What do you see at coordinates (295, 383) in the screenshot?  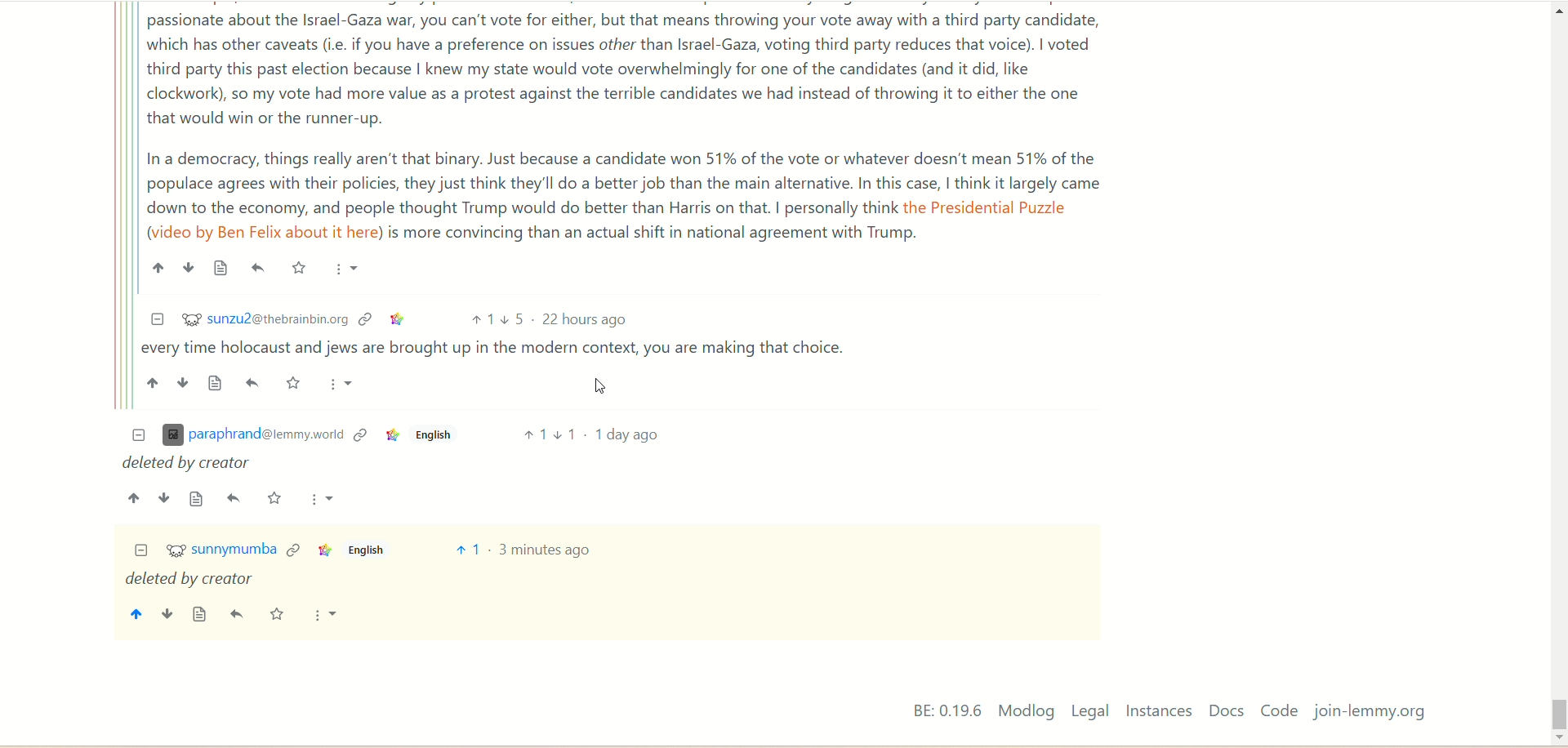 I see `Starred` at bounding box center [295, 383].